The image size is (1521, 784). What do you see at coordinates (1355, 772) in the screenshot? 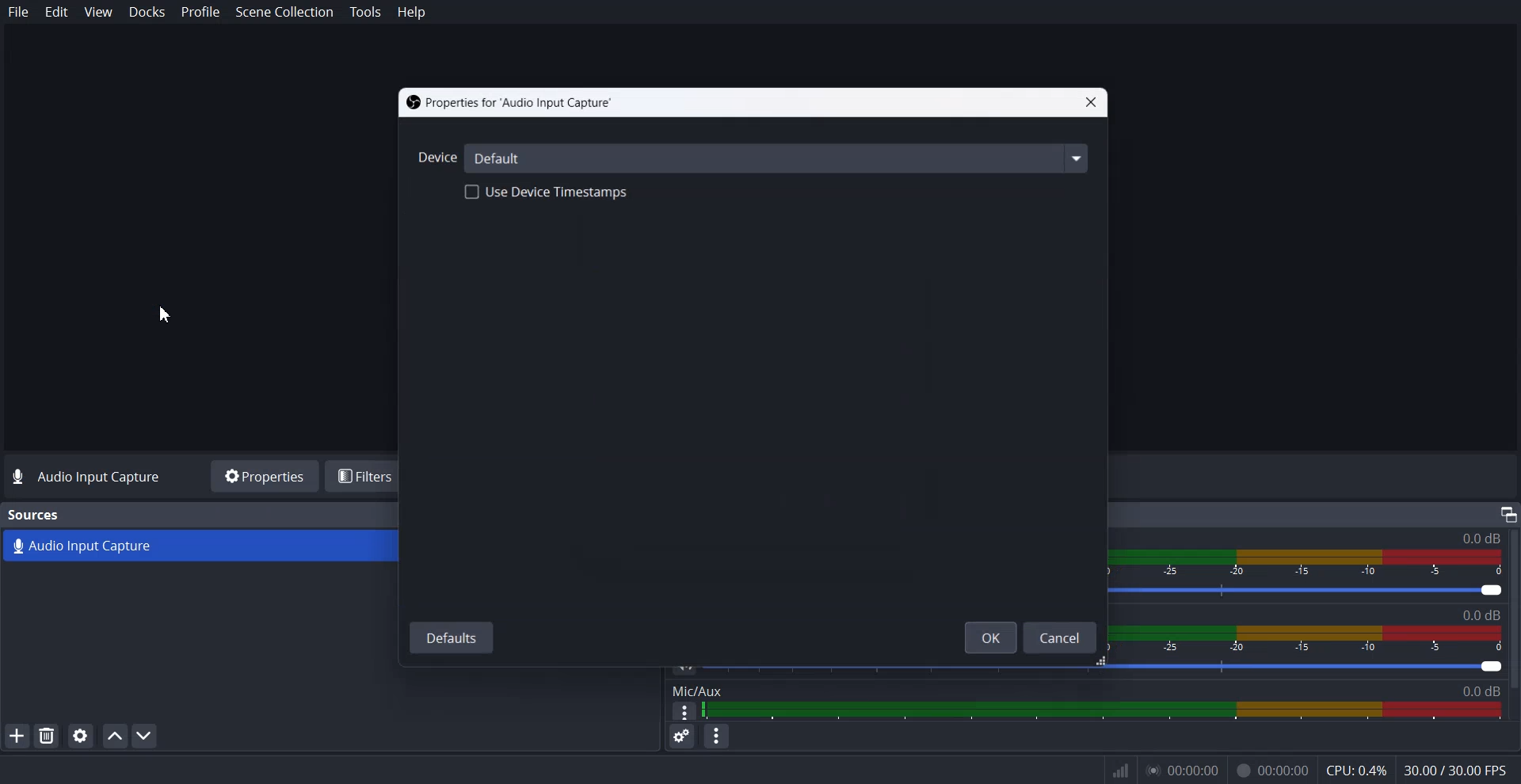
I see `CPU: 0.3%` at bounding box center [1355, 772].